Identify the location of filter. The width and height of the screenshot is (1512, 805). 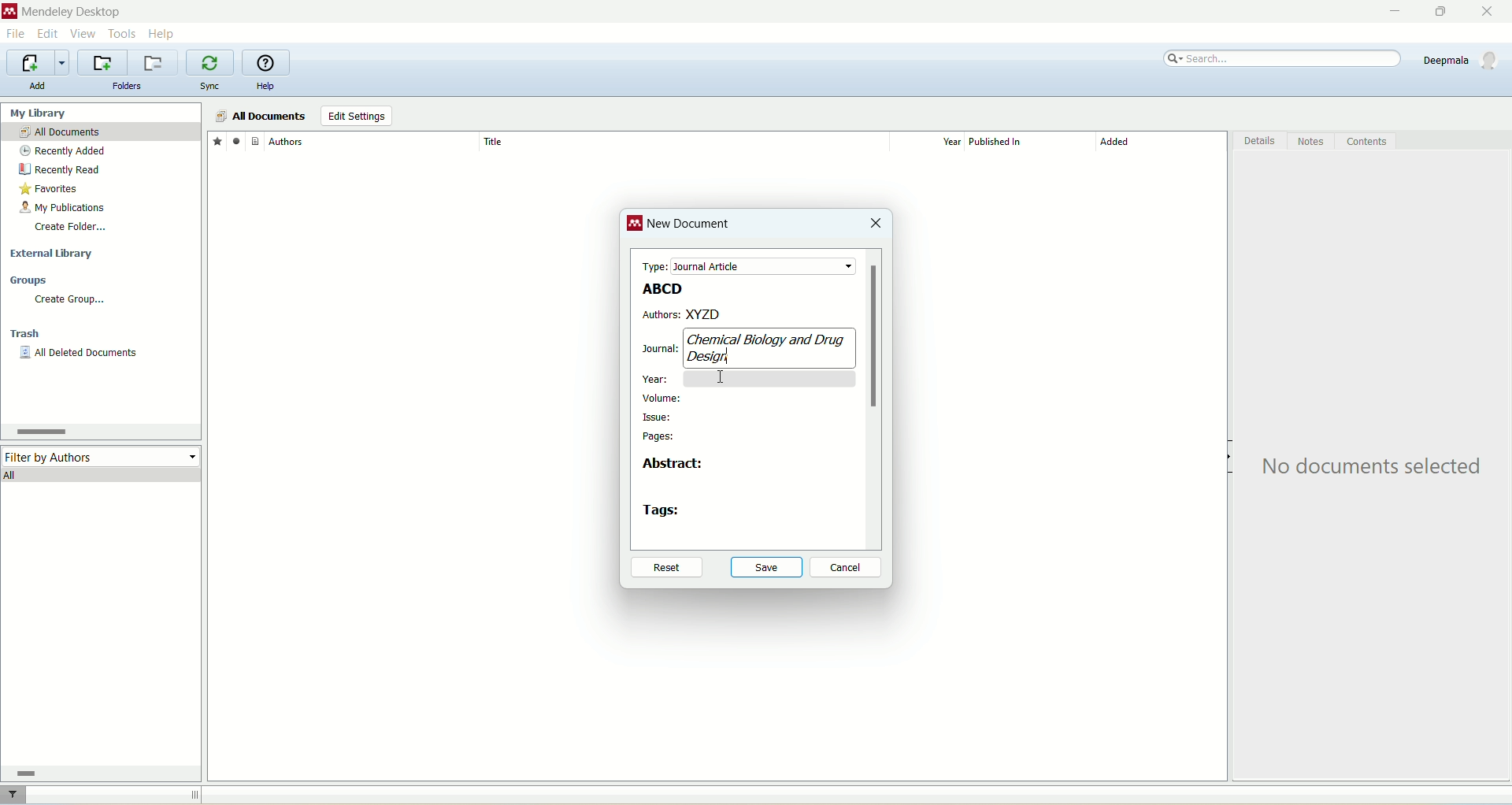
(15, 795).